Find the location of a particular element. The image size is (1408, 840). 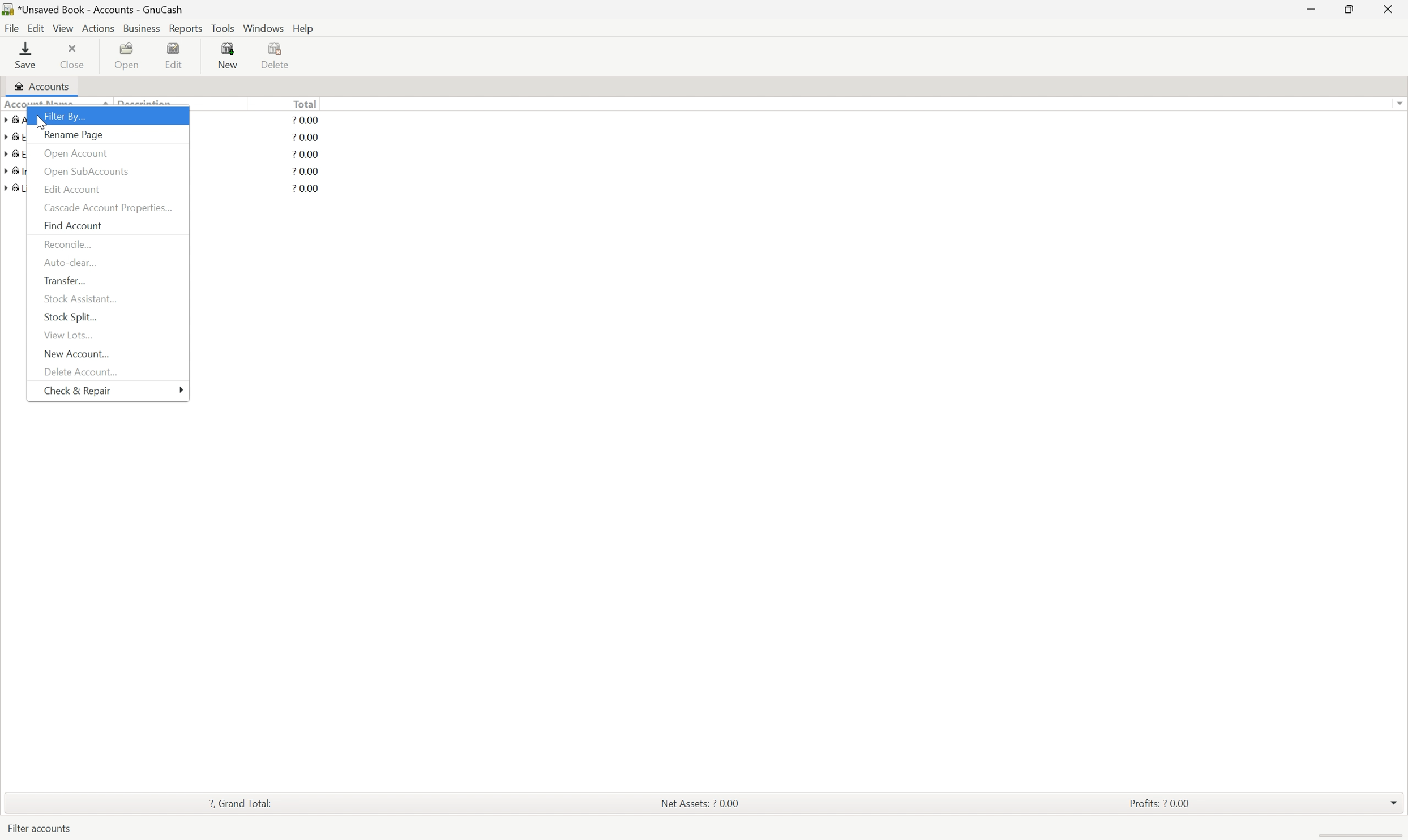

Edit is located at coordinates (176, 55).